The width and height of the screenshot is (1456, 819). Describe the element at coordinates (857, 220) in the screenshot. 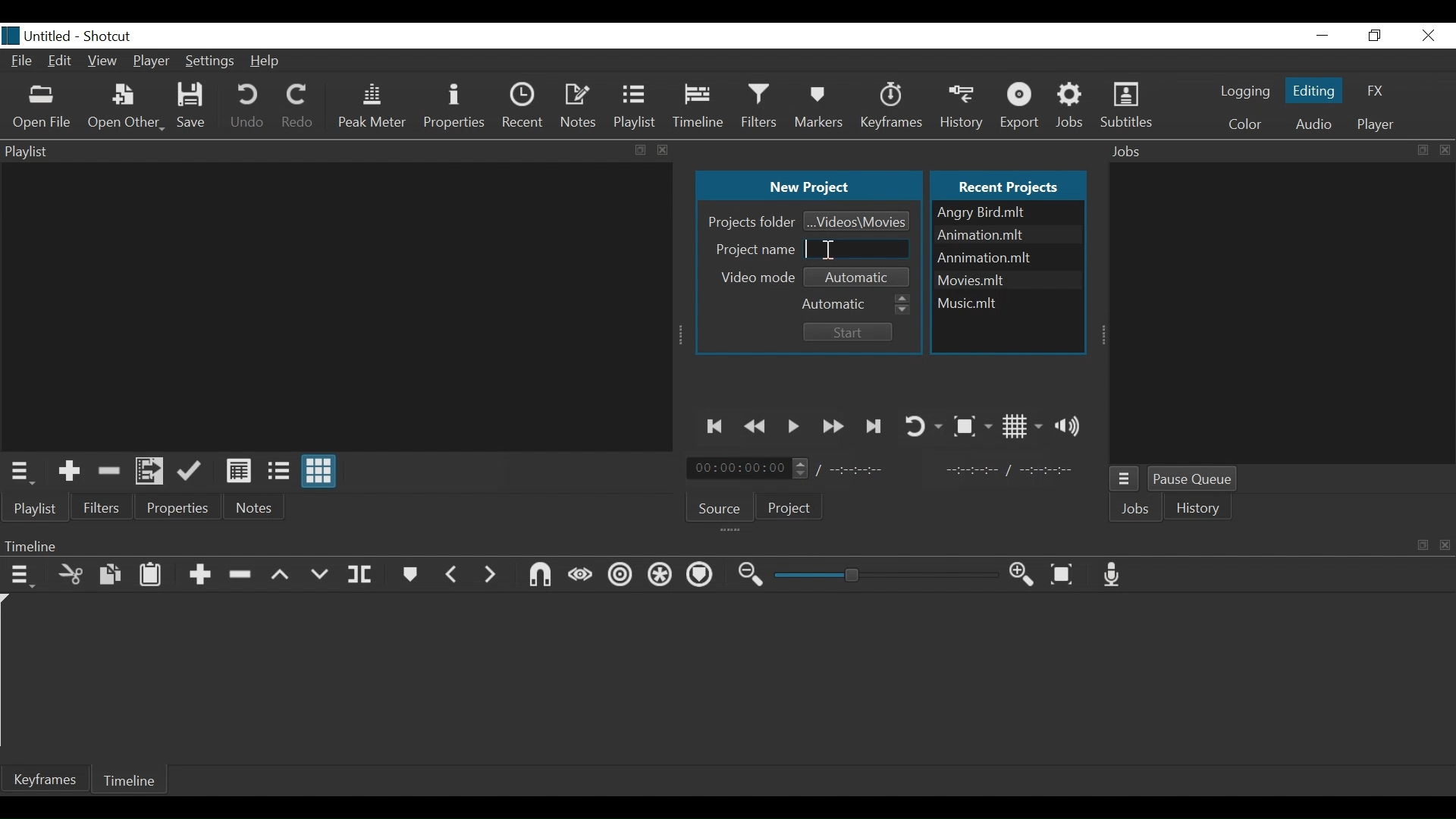

I see `Browse` at that location.